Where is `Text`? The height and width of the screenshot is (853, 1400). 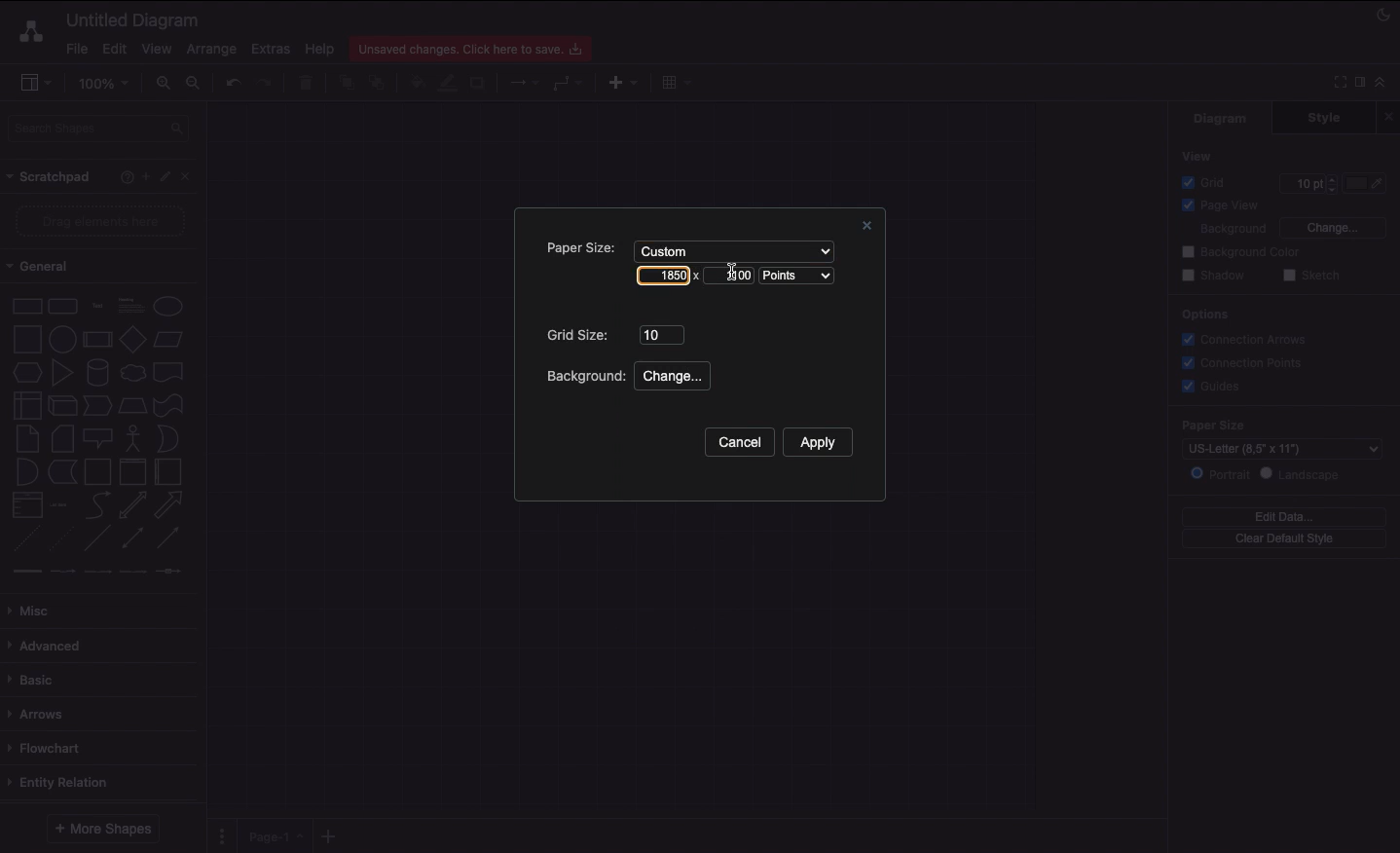
Text is located at coordinates (97, 307).